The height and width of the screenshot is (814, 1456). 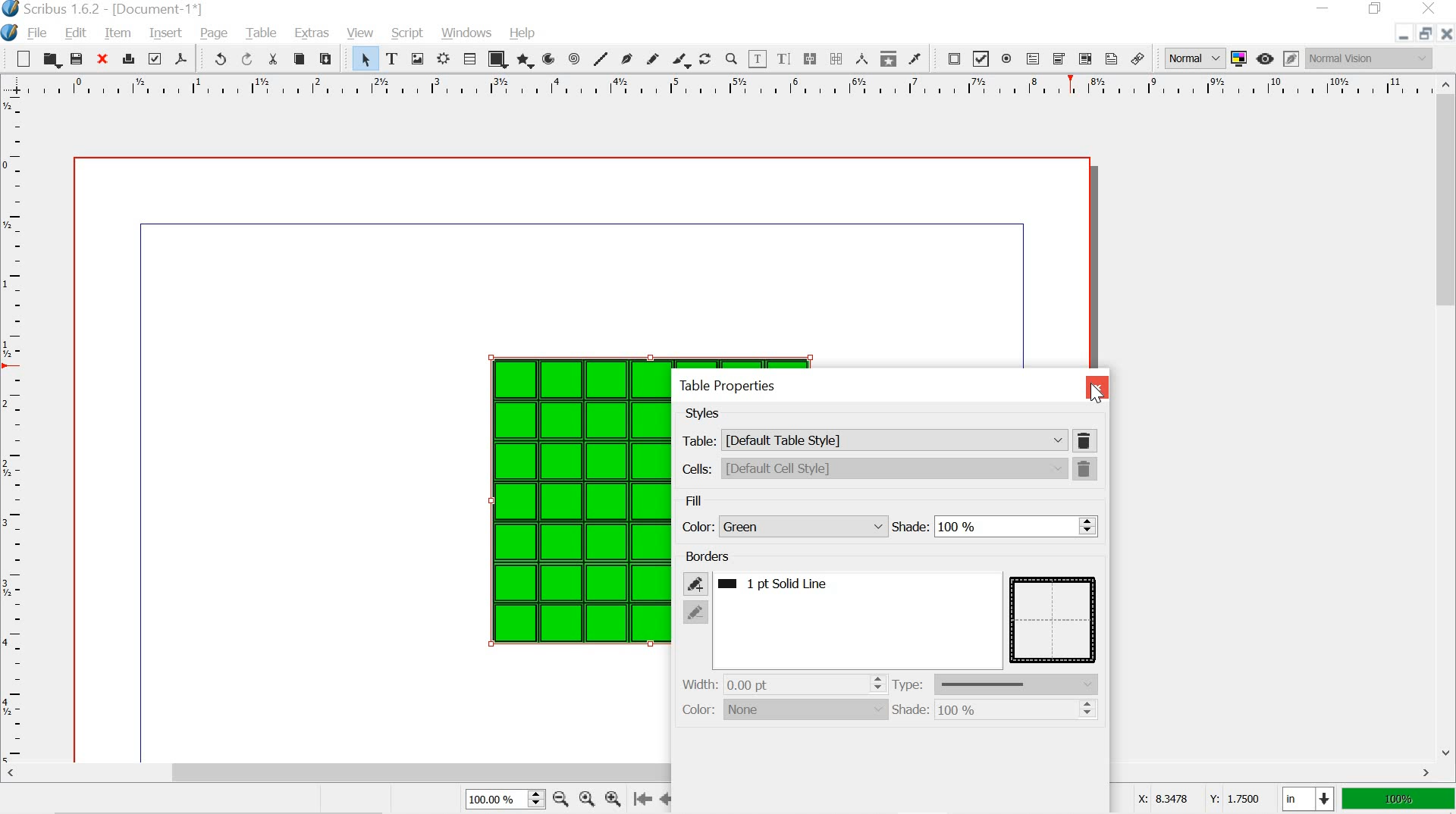 I want to click on page, so click(x=215, y=33).